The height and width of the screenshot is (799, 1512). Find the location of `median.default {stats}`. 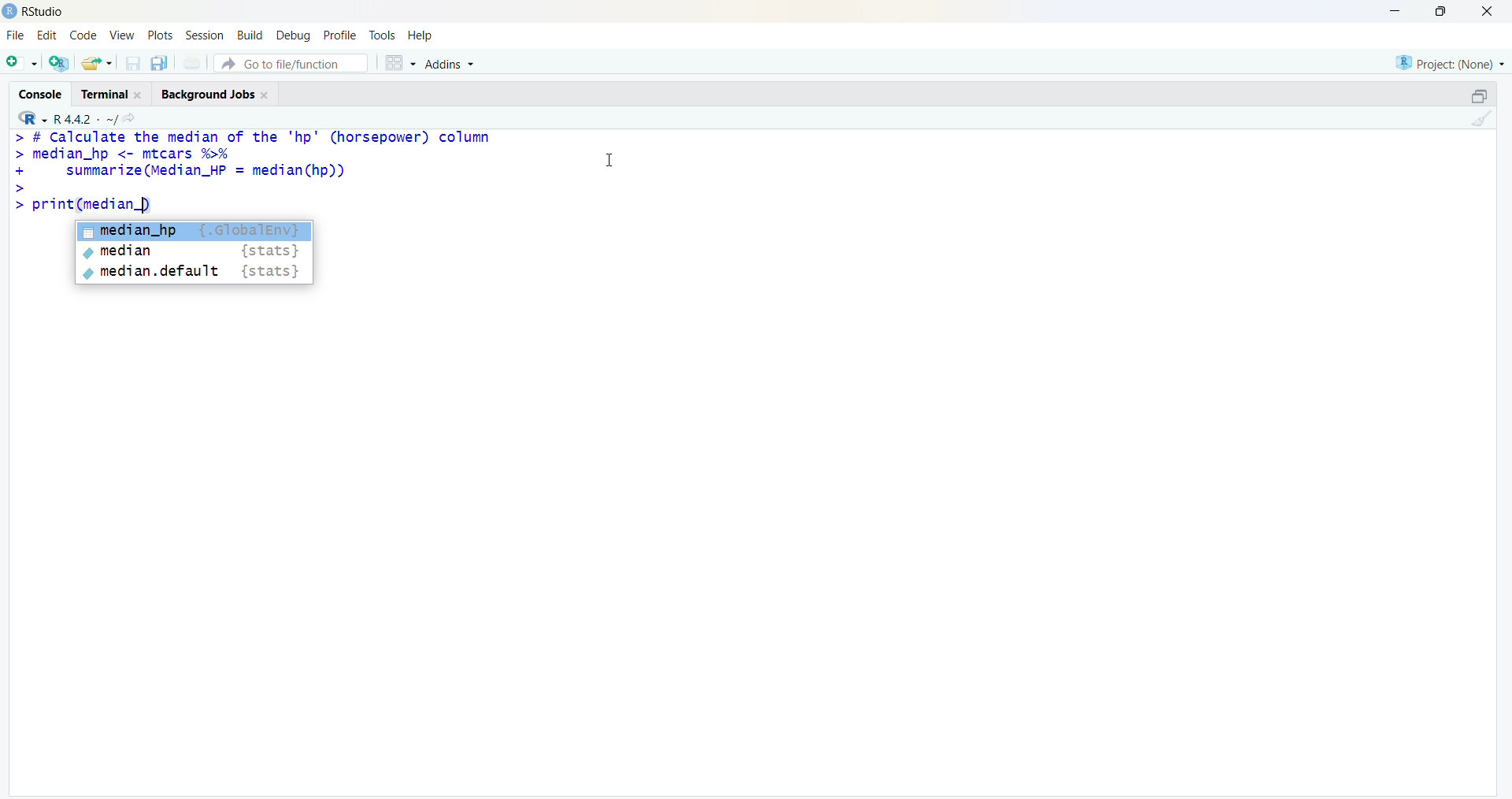

median.default {stats} is located at coordinates (191, 272).